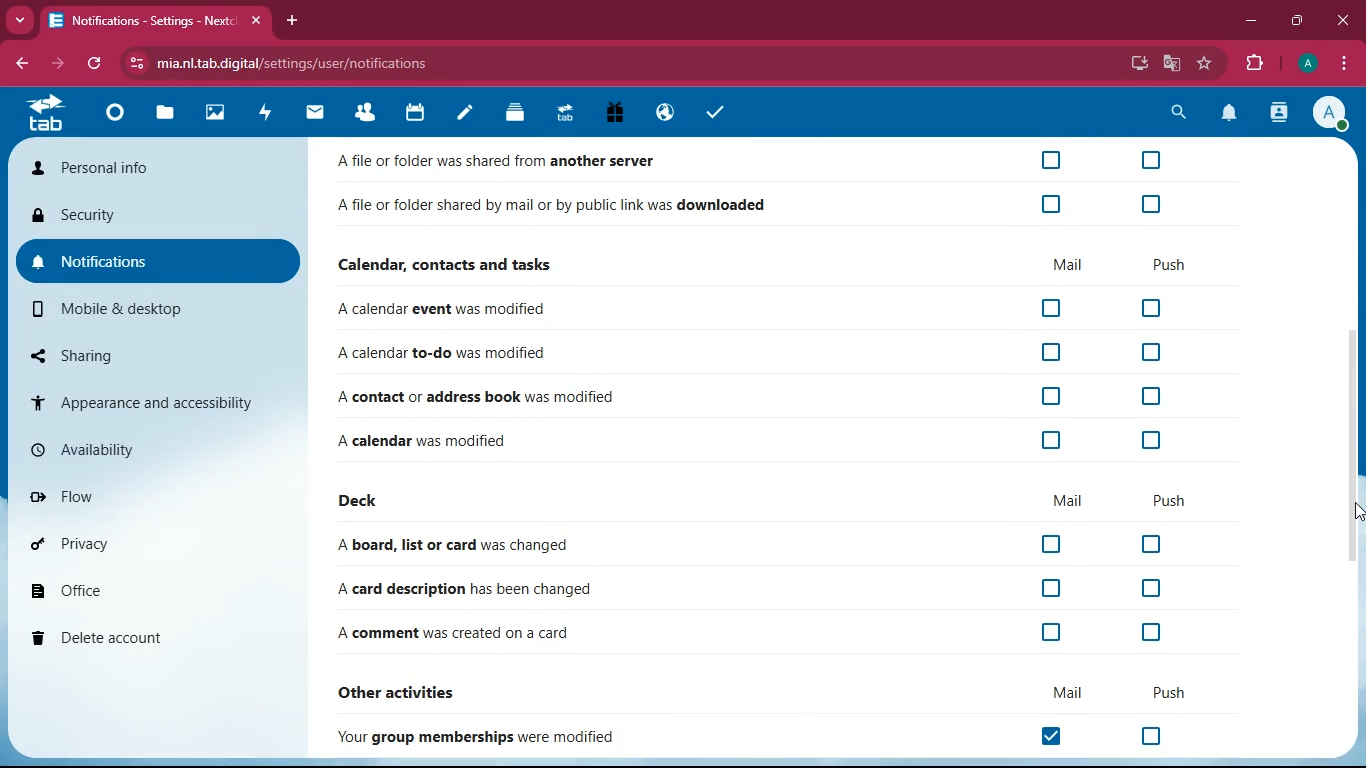 Image resolution: width=1366 pixels, height=768 pixels. I want to click on A calendar to-do was modified, so click(445, 354).